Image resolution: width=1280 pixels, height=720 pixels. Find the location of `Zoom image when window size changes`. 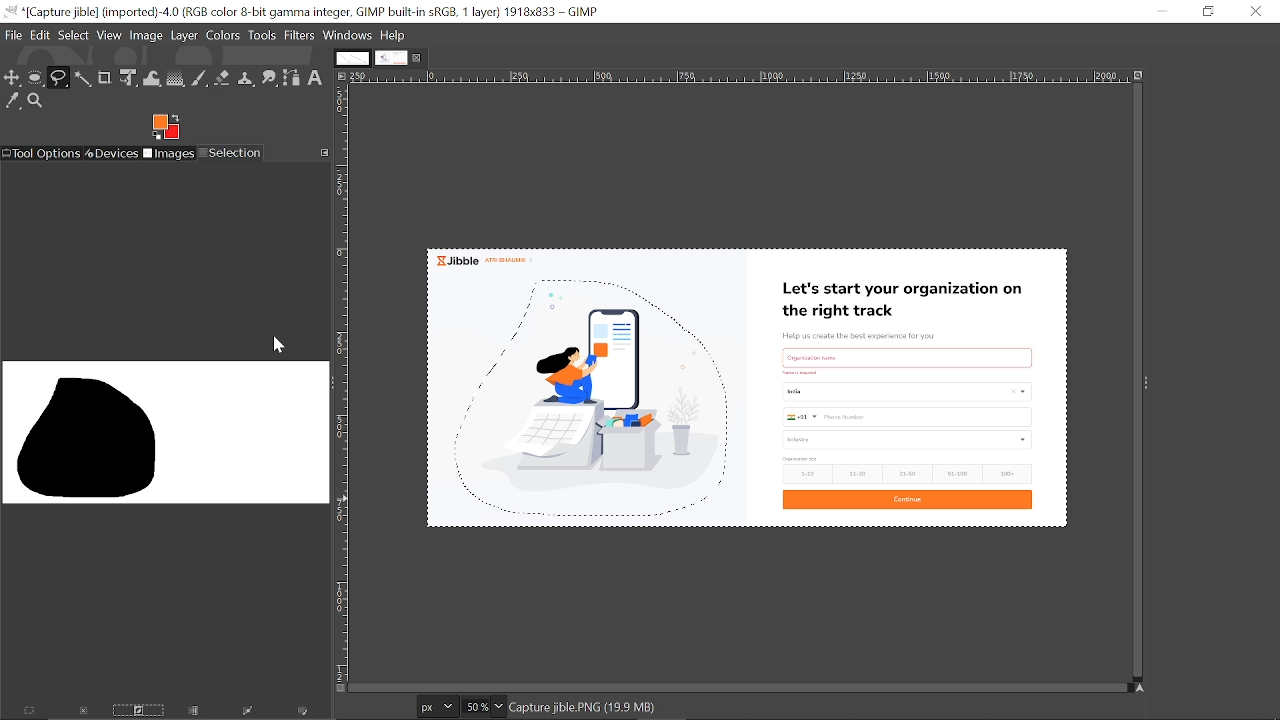

Zoom image when window size changes is located at coordinates (1141, 79).